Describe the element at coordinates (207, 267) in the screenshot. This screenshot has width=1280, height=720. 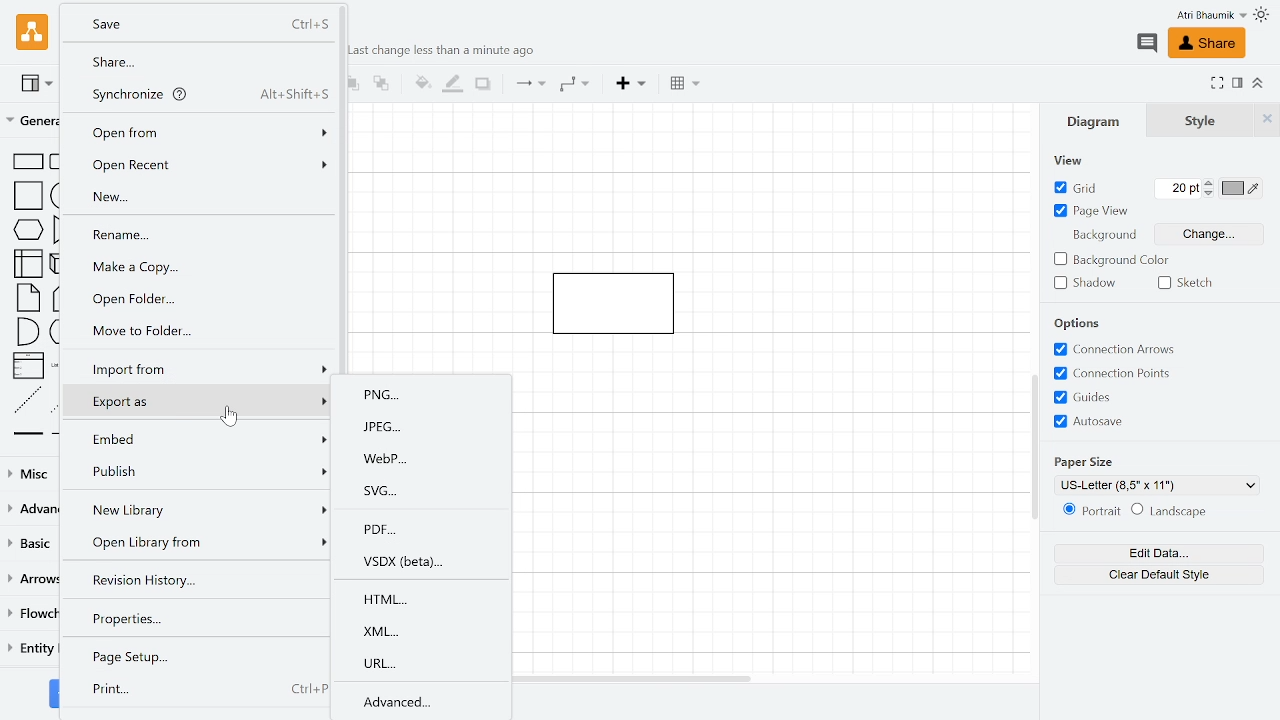
I see `make a copy` at that location.